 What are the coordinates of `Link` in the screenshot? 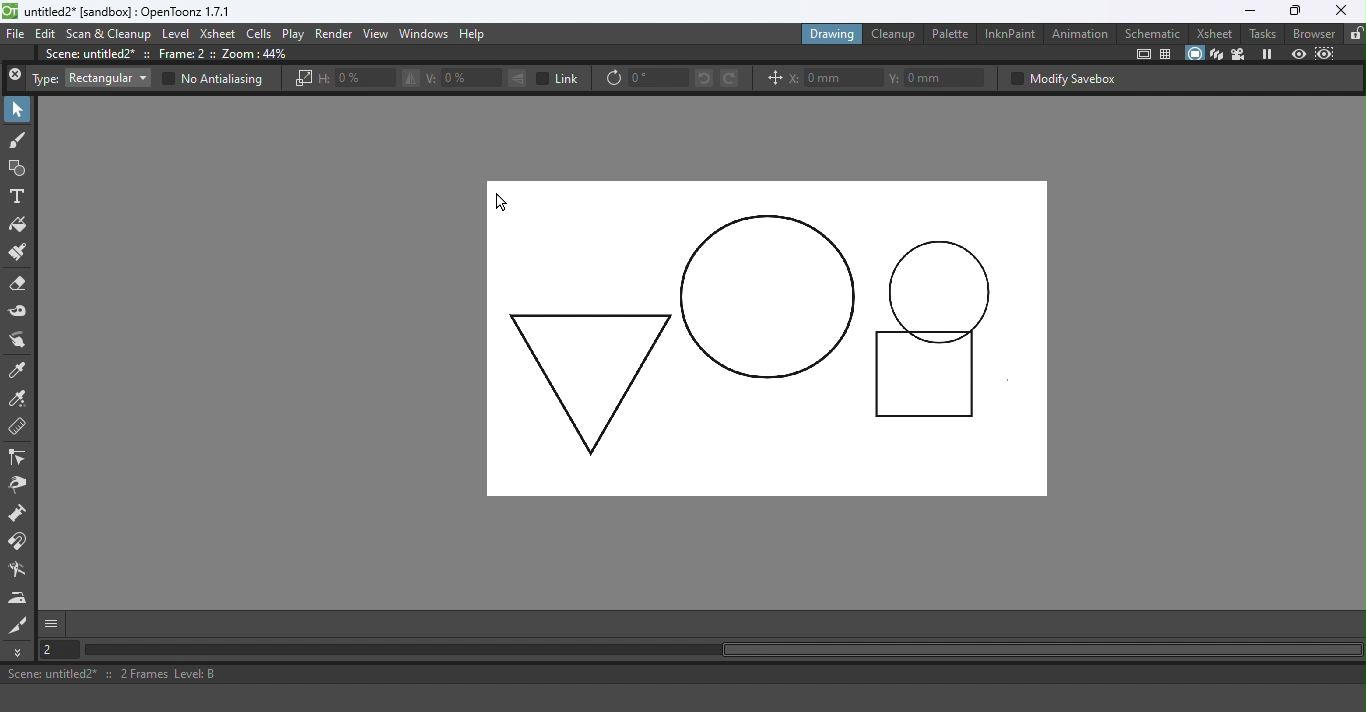 It's located at (560, 78).